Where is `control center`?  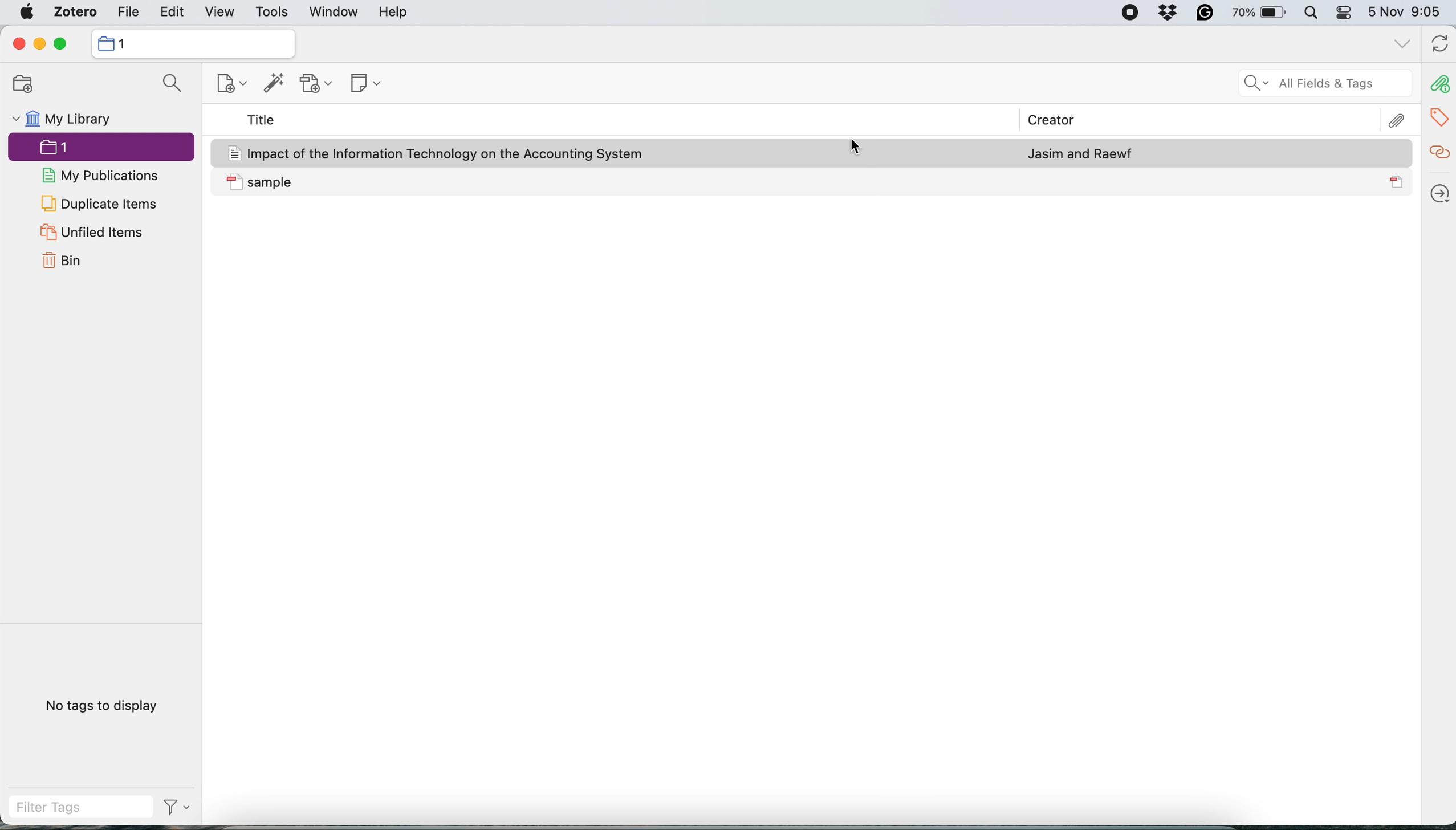 control center is located at coordinates (1344, 15).